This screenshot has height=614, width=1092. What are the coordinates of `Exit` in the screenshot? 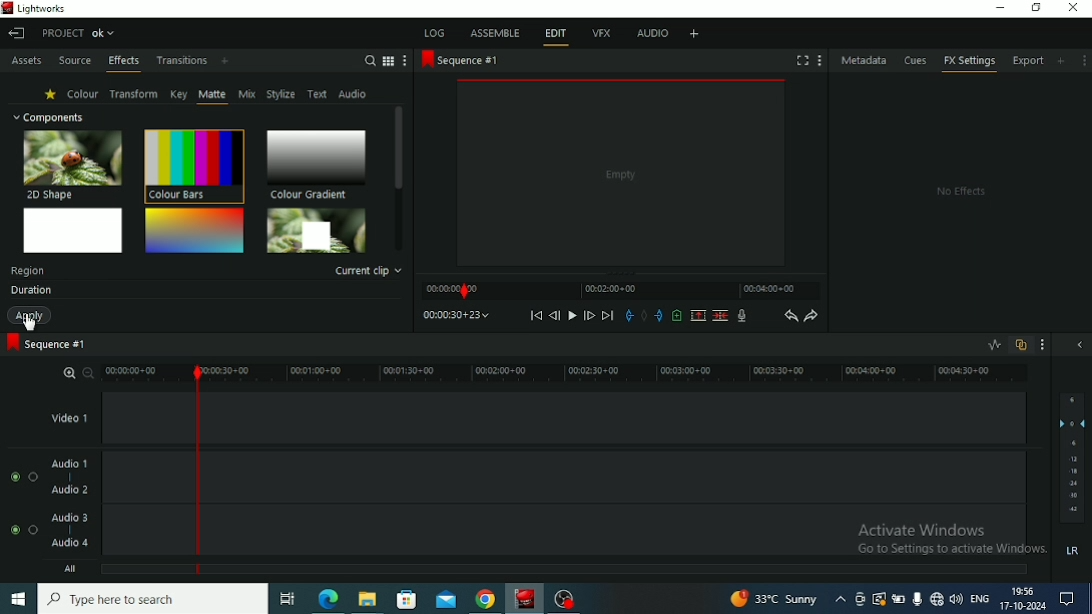 It's located at (16, 33).